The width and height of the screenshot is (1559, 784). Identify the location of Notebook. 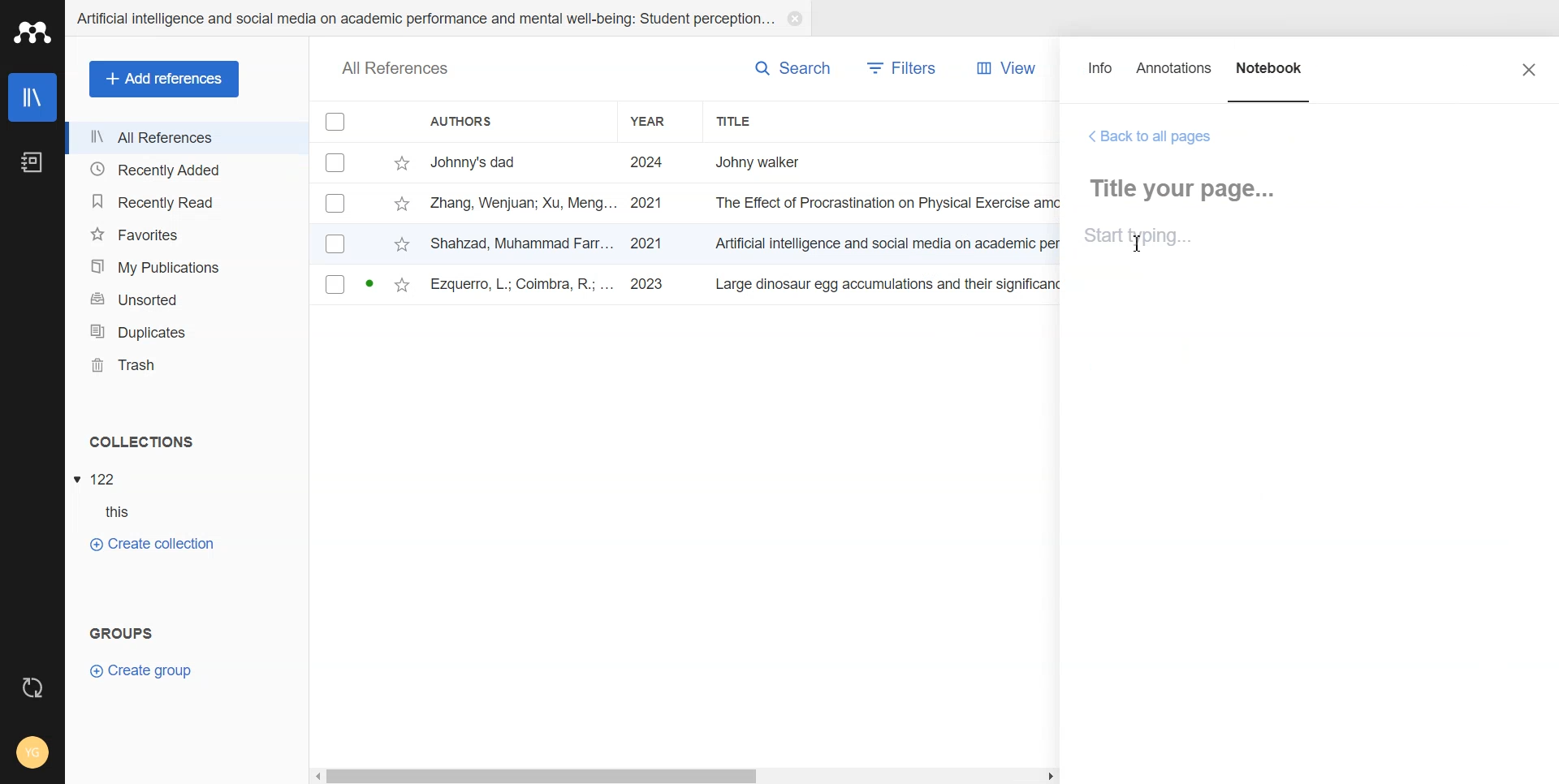
(31, 163).